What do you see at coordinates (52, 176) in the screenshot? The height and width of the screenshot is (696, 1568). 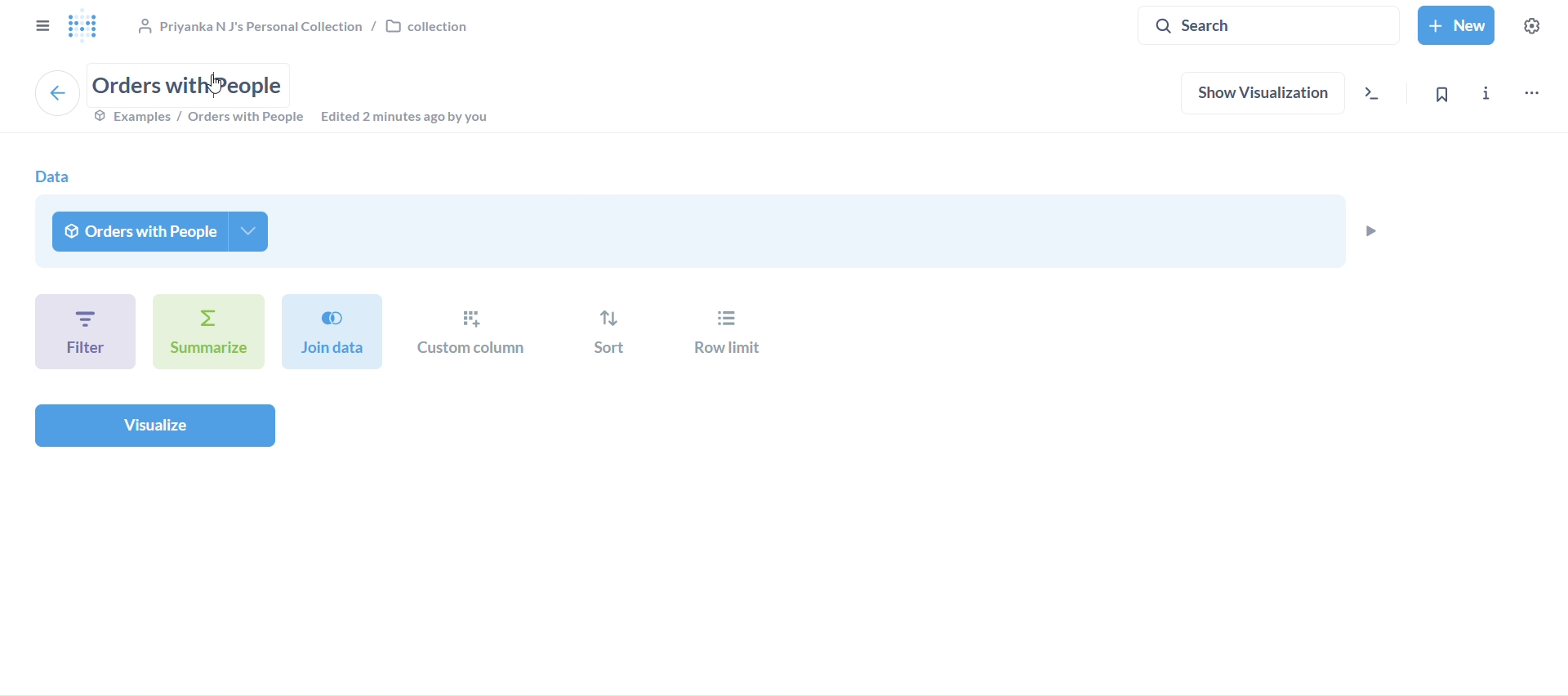 I see `data` at bounding box center [52, 176].